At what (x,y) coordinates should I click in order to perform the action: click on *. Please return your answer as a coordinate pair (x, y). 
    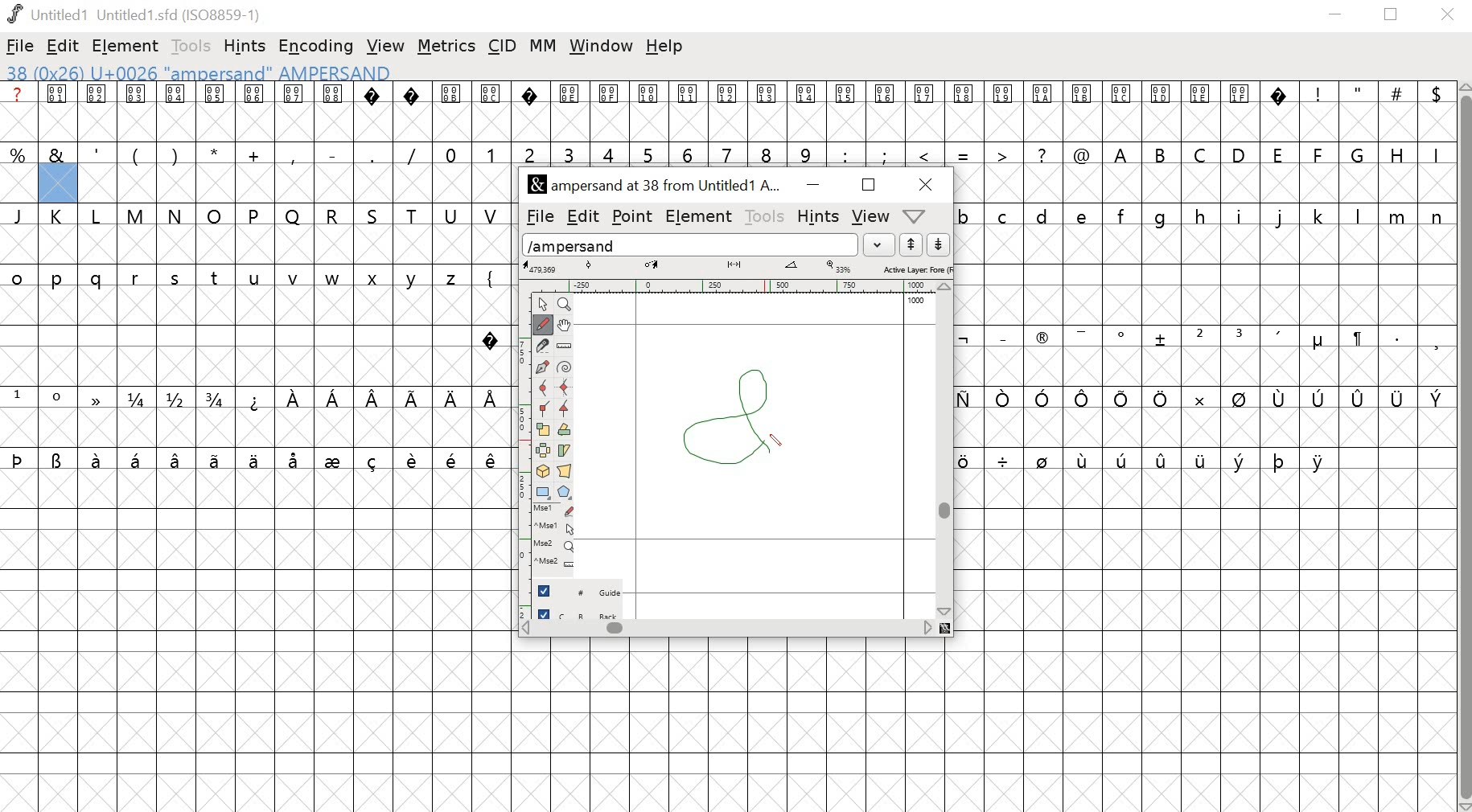
    Looking at the image, I should click on (215, 154).